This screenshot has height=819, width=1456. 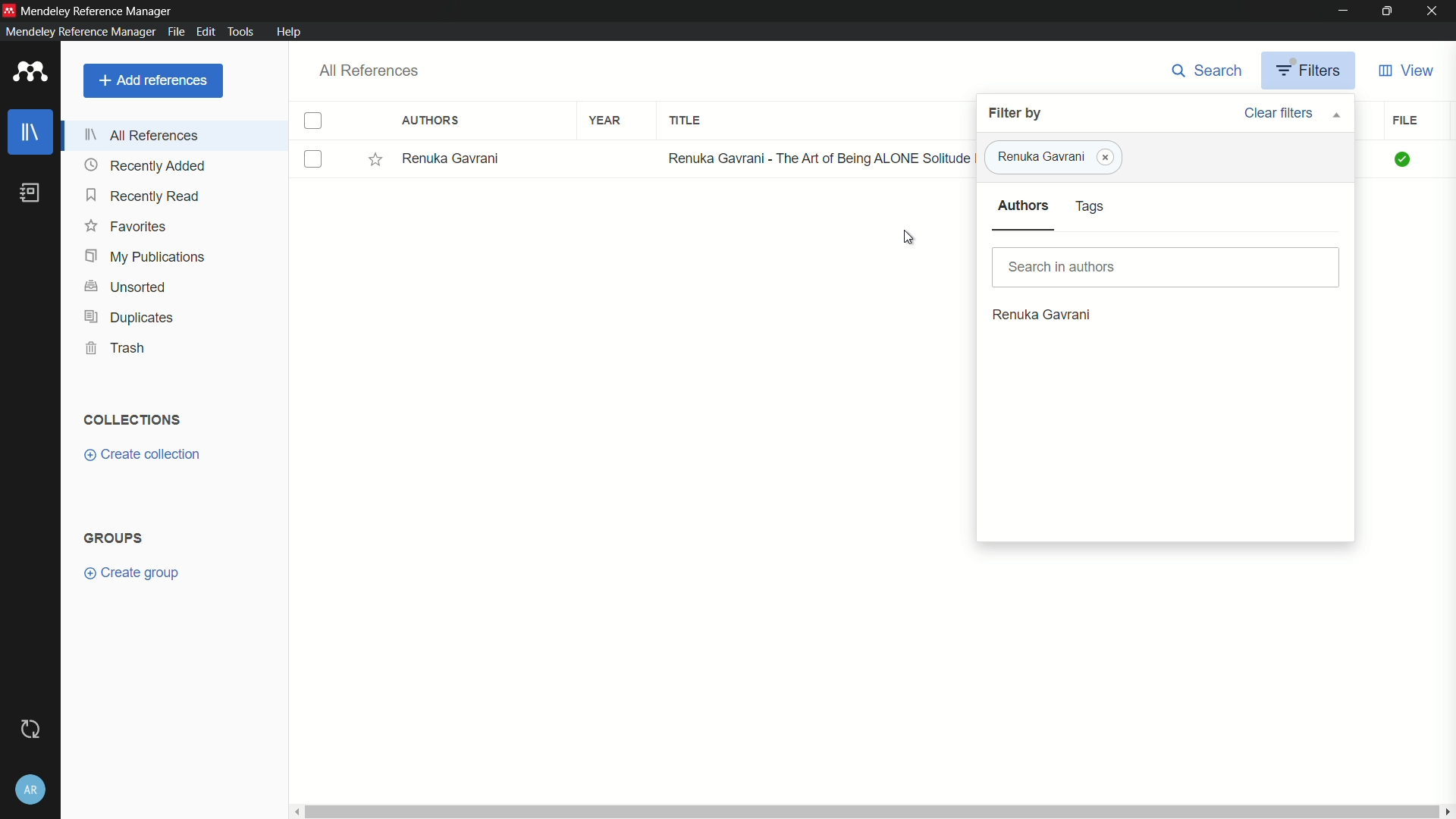 I want to click on all references, so click(x=143, y=135).